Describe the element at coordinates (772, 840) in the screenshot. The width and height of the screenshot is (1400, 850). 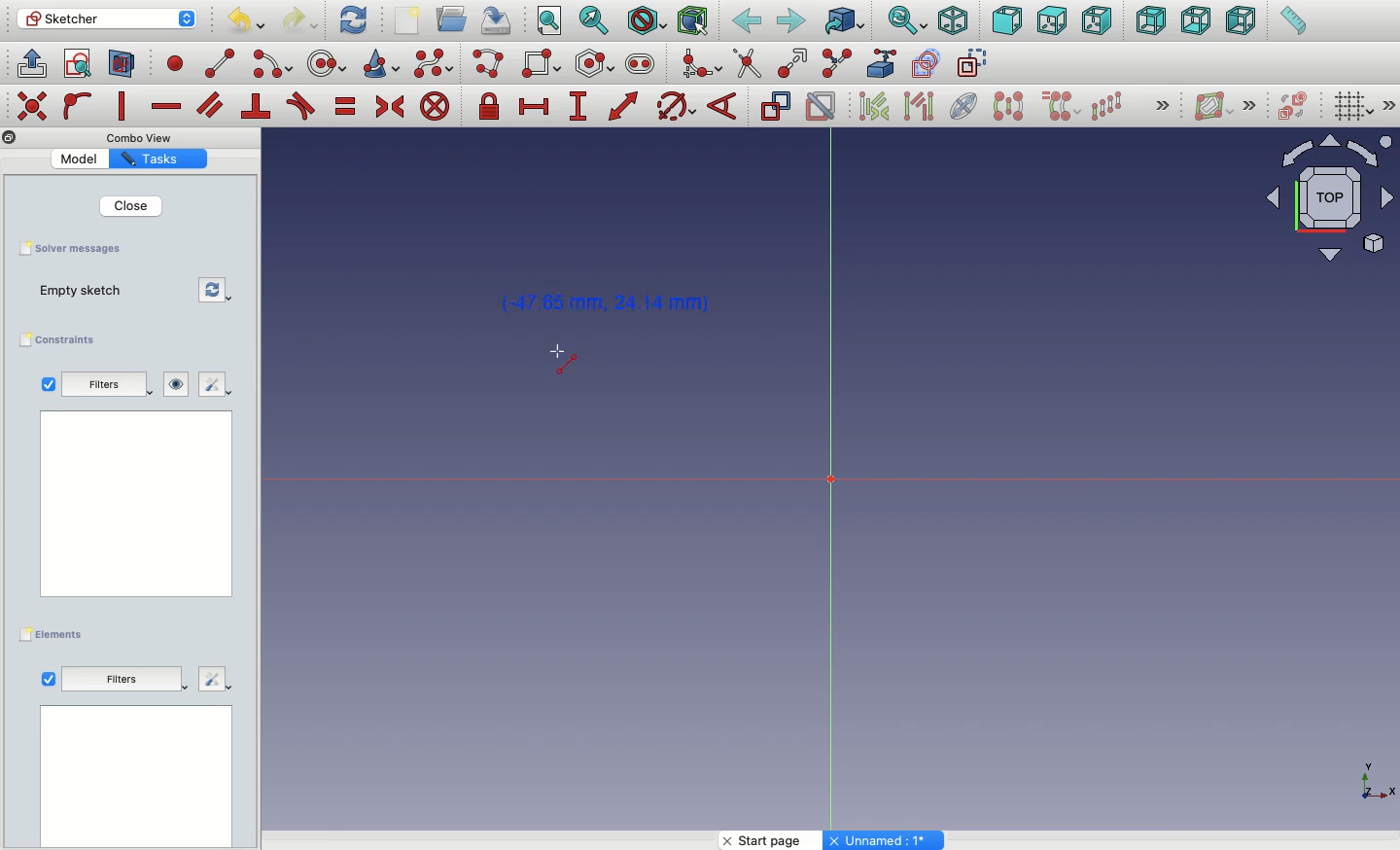
I see `Start page` at that location.